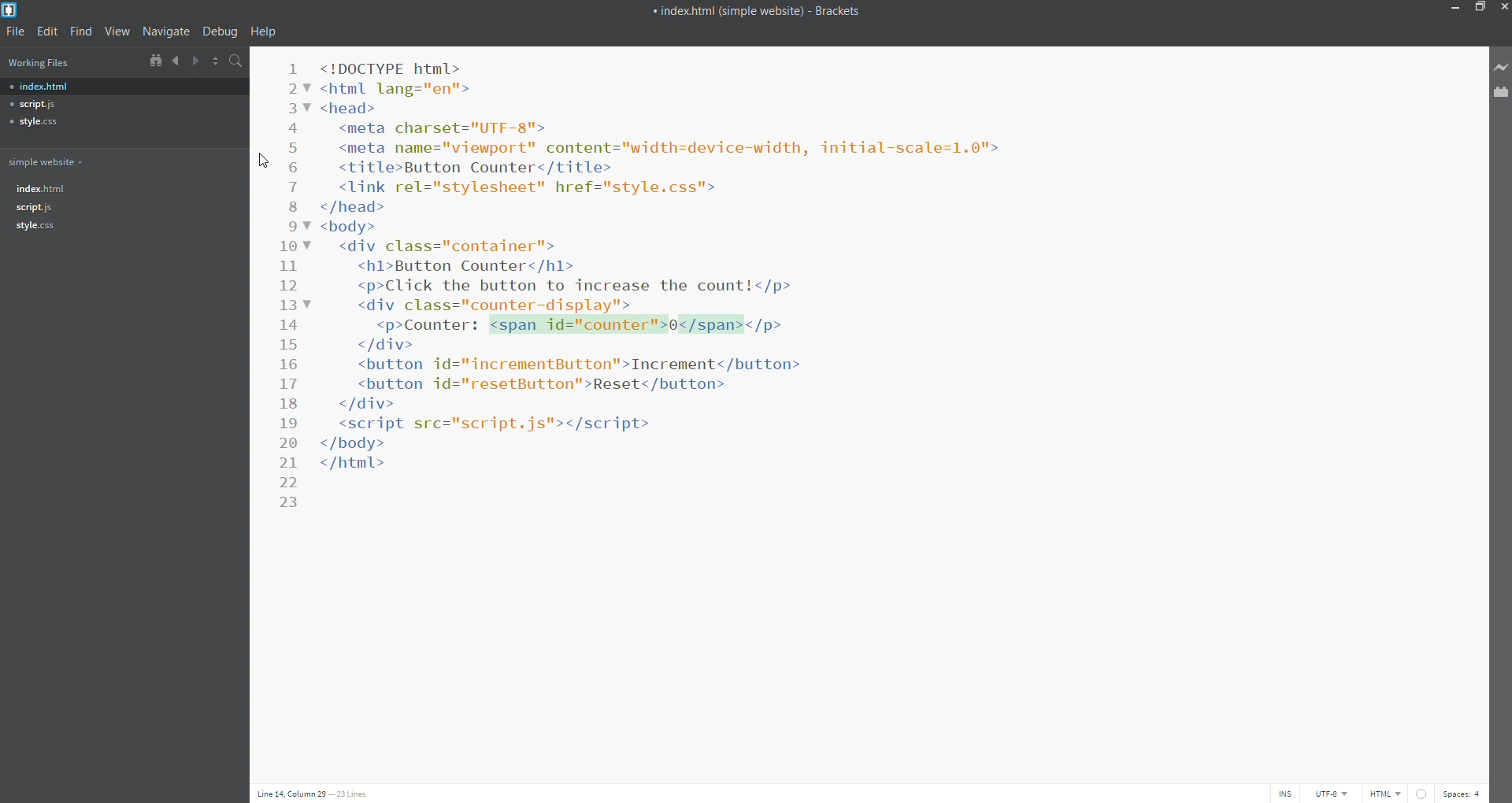 This screenshot has width=1512, height=803. Describe the element at coordinates (214, 60) in the screenshot. I see `split icon` at that location.